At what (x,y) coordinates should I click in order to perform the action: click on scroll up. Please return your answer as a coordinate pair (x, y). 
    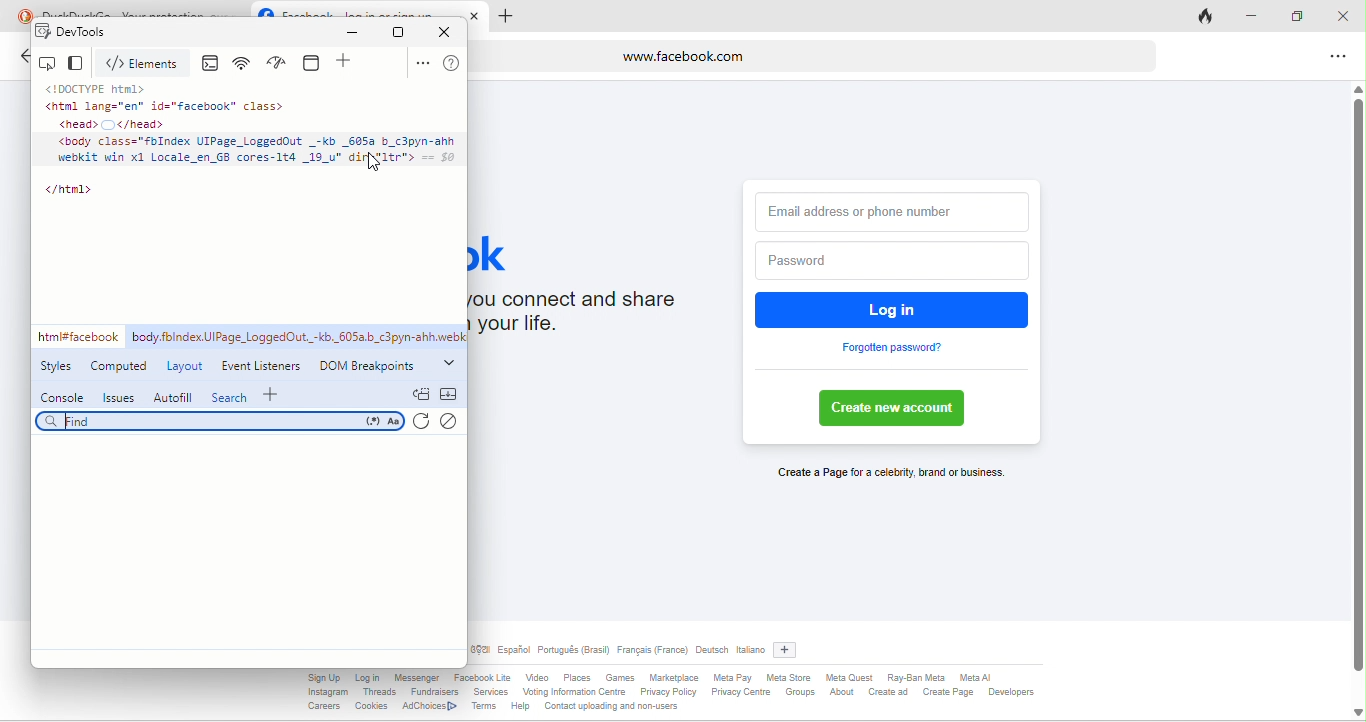
    Looking at the image, I should click on (1357, 86).